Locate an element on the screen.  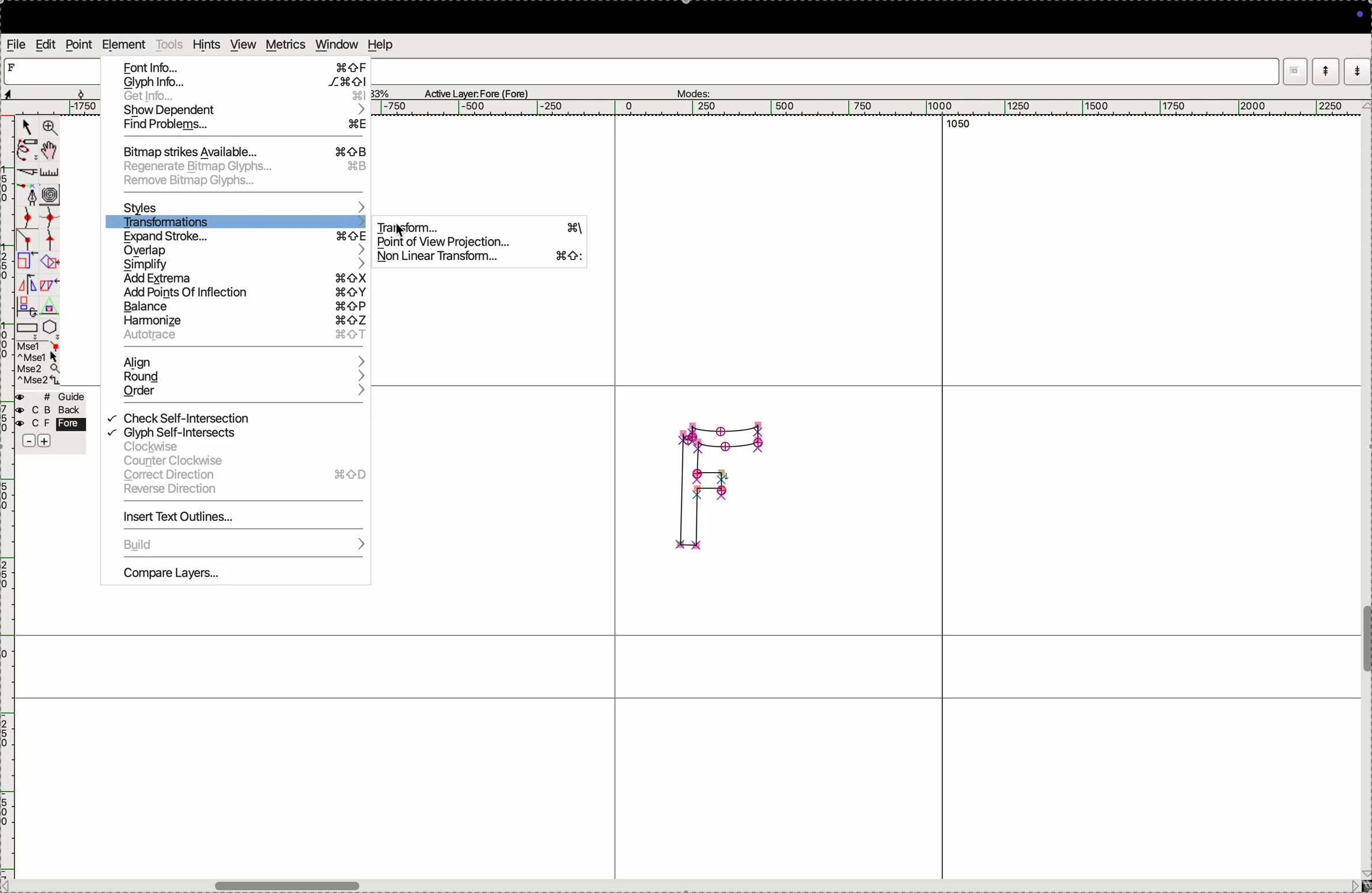
toogle is located at coordinates (311, 883).